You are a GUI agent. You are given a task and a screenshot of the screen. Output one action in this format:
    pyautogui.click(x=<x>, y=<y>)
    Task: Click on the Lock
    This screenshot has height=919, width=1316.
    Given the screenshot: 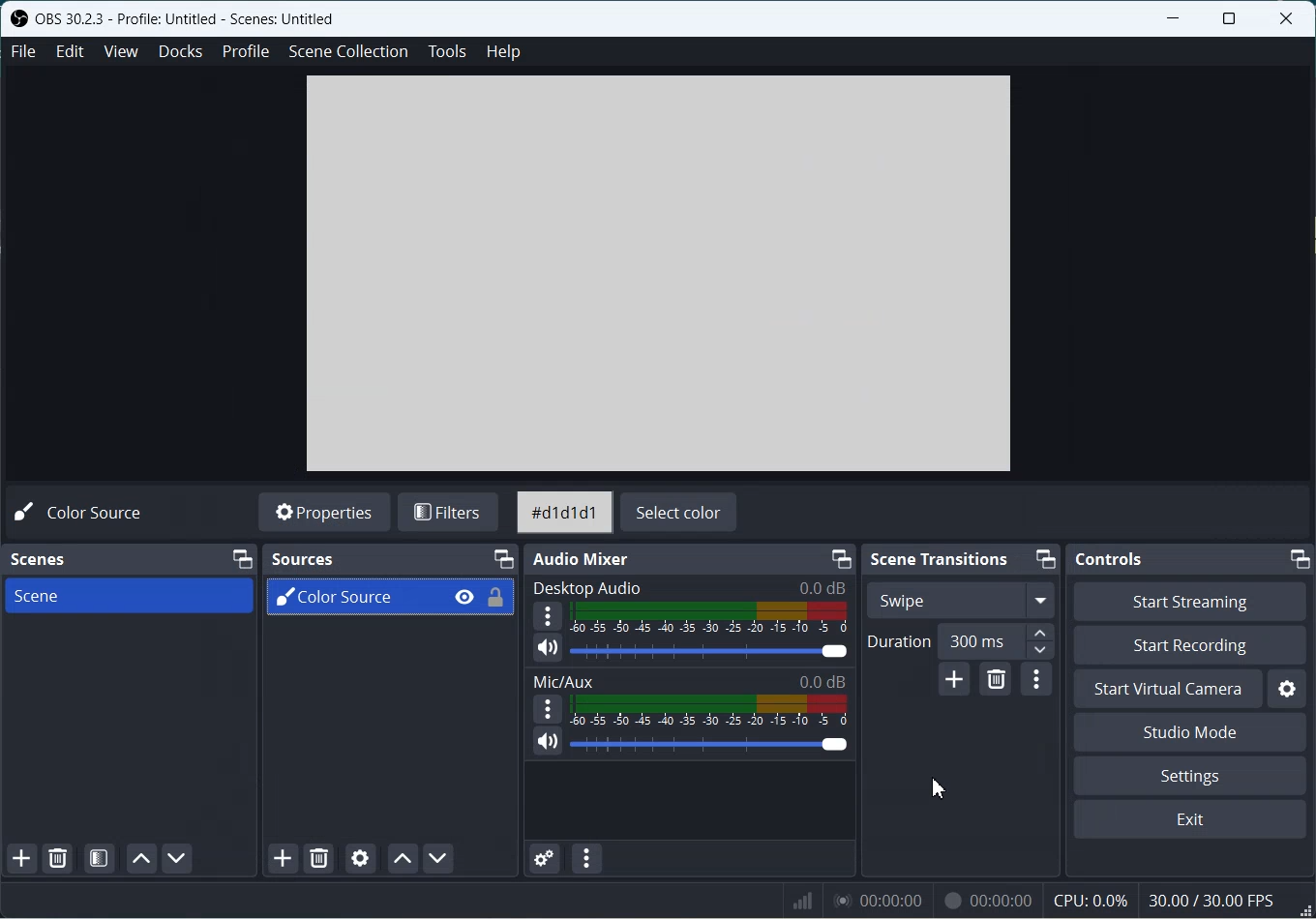 What is the action you would take?
    pyautogui.click(x=496, y=598)
    